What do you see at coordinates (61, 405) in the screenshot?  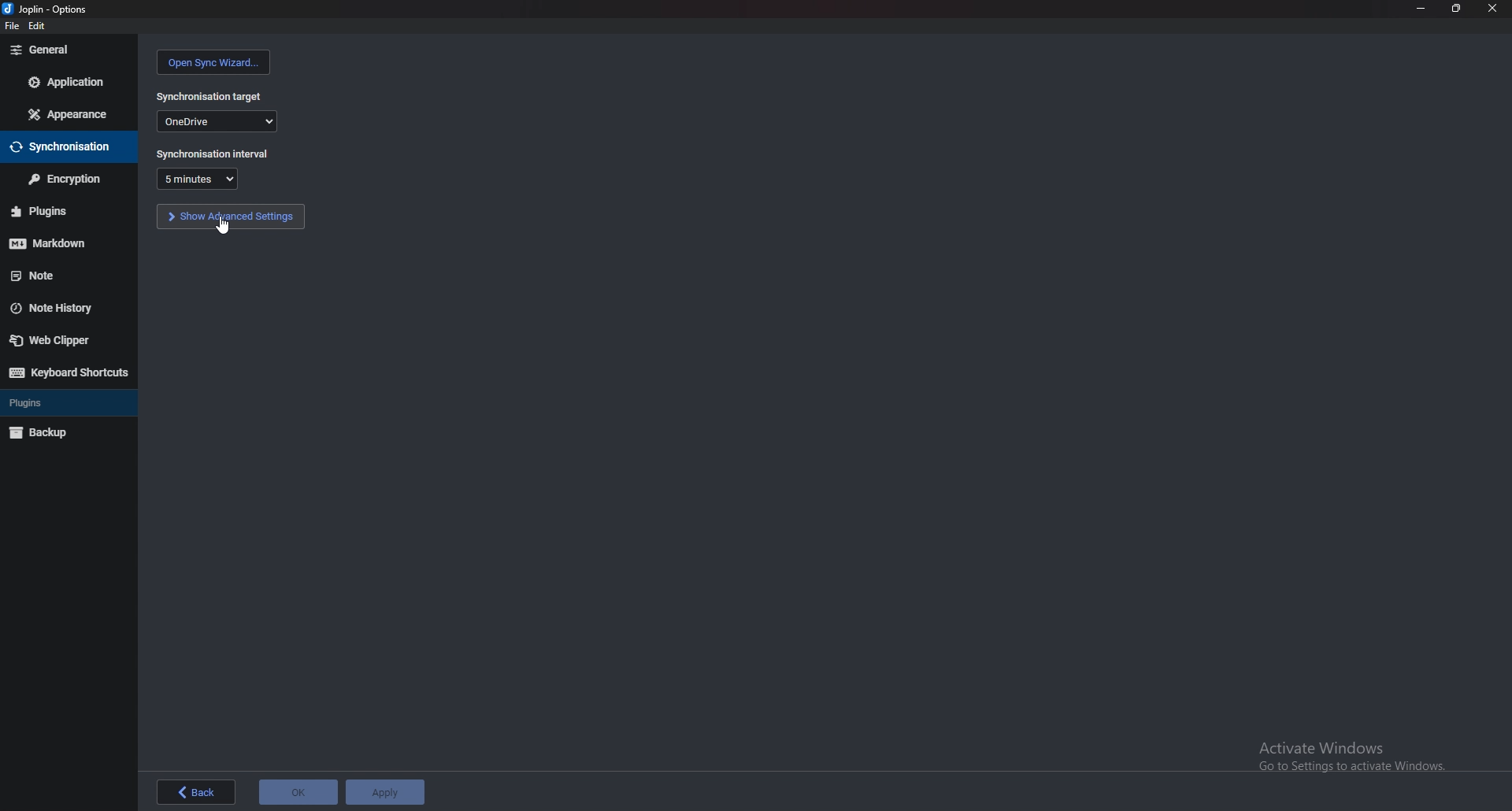 I see `plugins` at bounding box center [61, 405].